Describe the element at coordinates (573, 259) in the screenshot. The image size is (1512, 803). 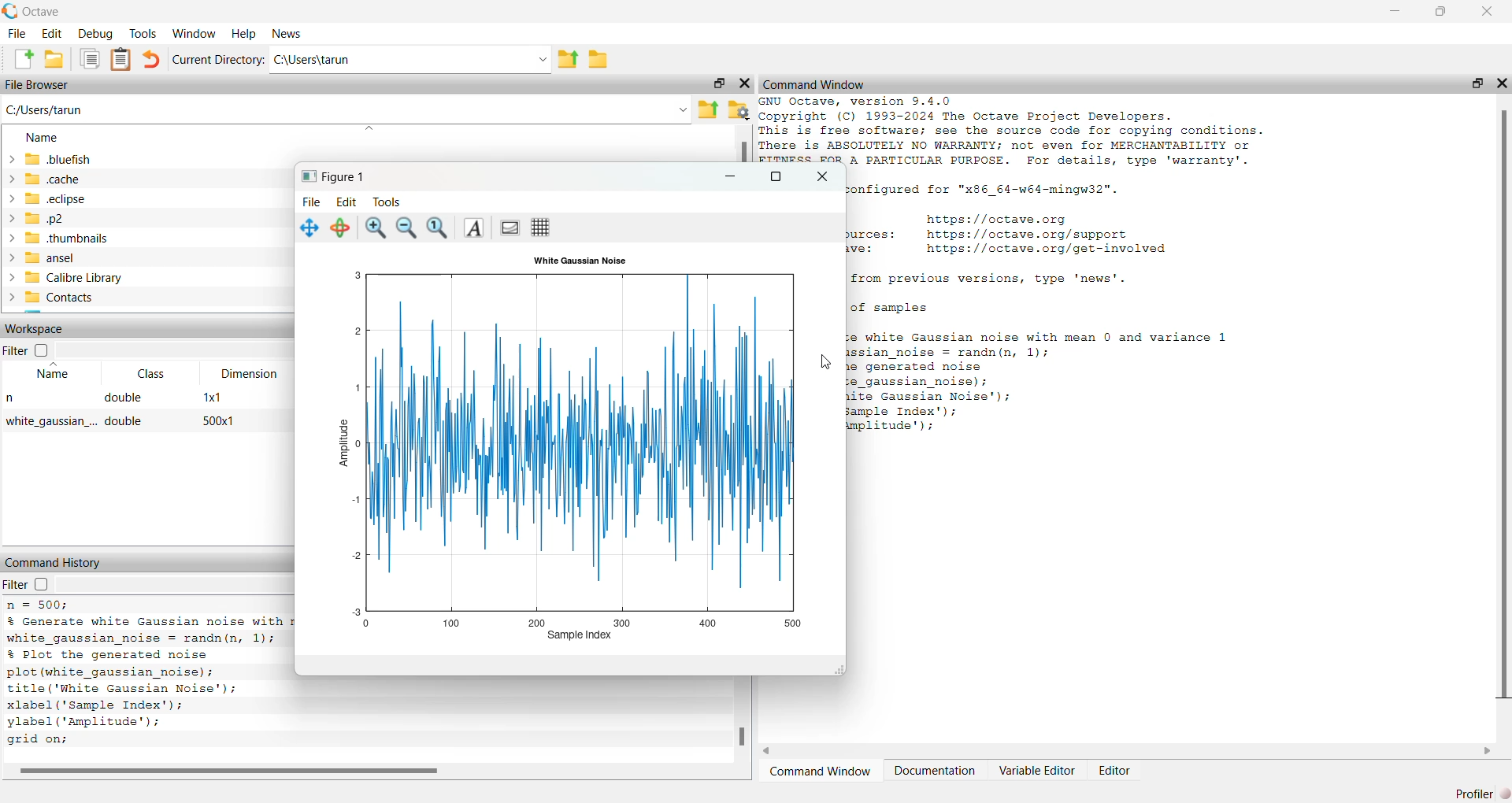
I see `‘White Gaussian Noise` at that location.